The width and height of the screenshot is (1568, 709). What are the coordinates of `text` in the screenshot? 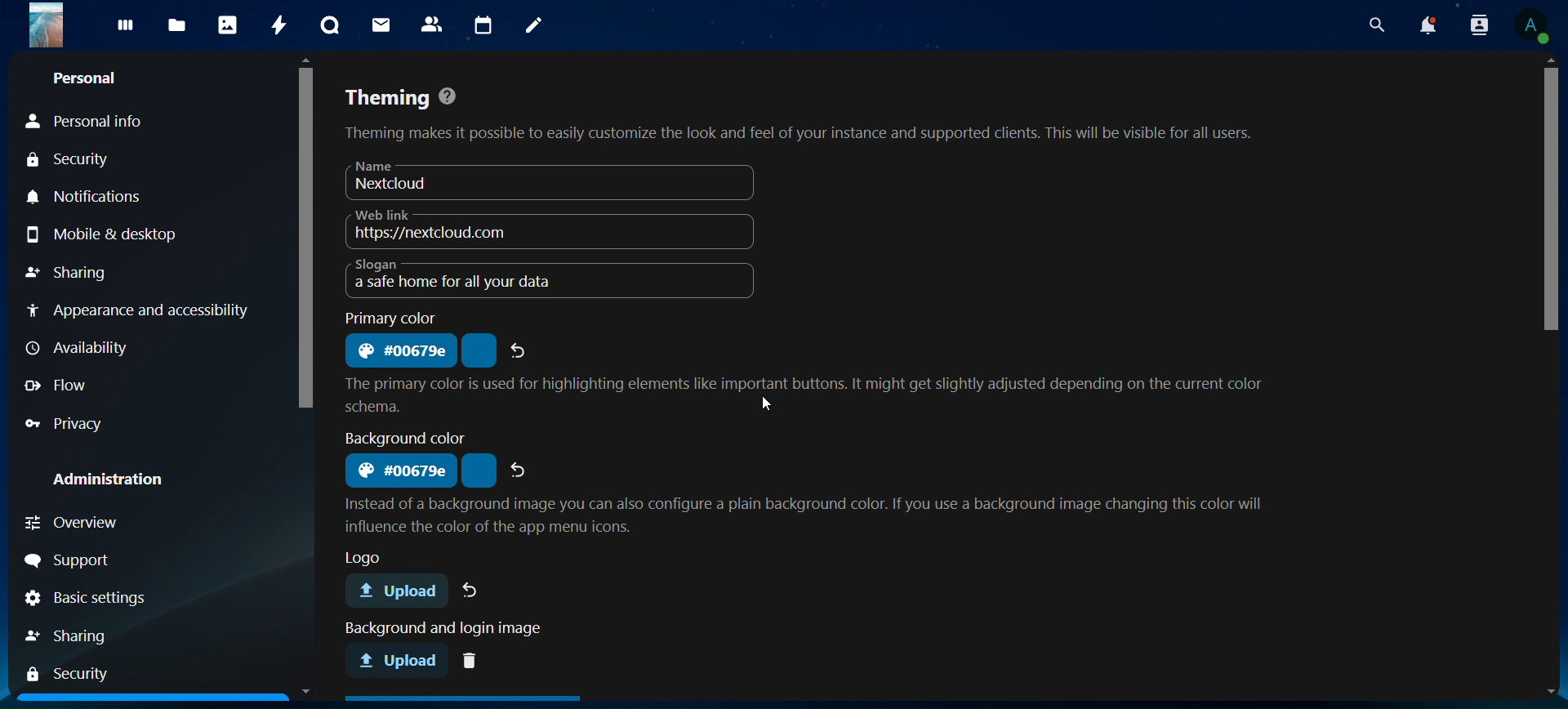 It's located at (403, 438).